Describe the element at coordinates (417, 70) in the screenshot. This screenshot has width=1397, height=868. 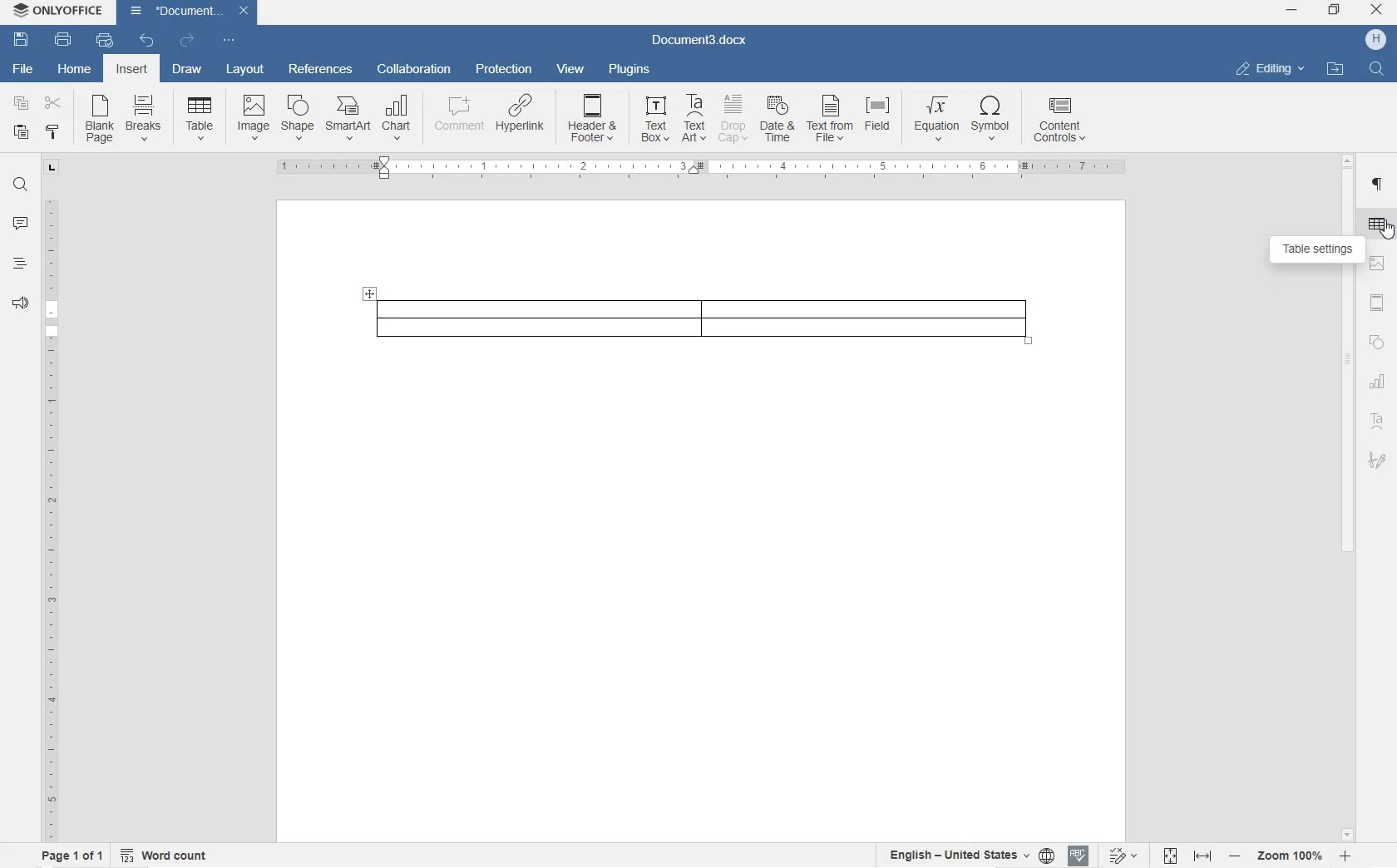
I see `COLLABORATION` at that location.